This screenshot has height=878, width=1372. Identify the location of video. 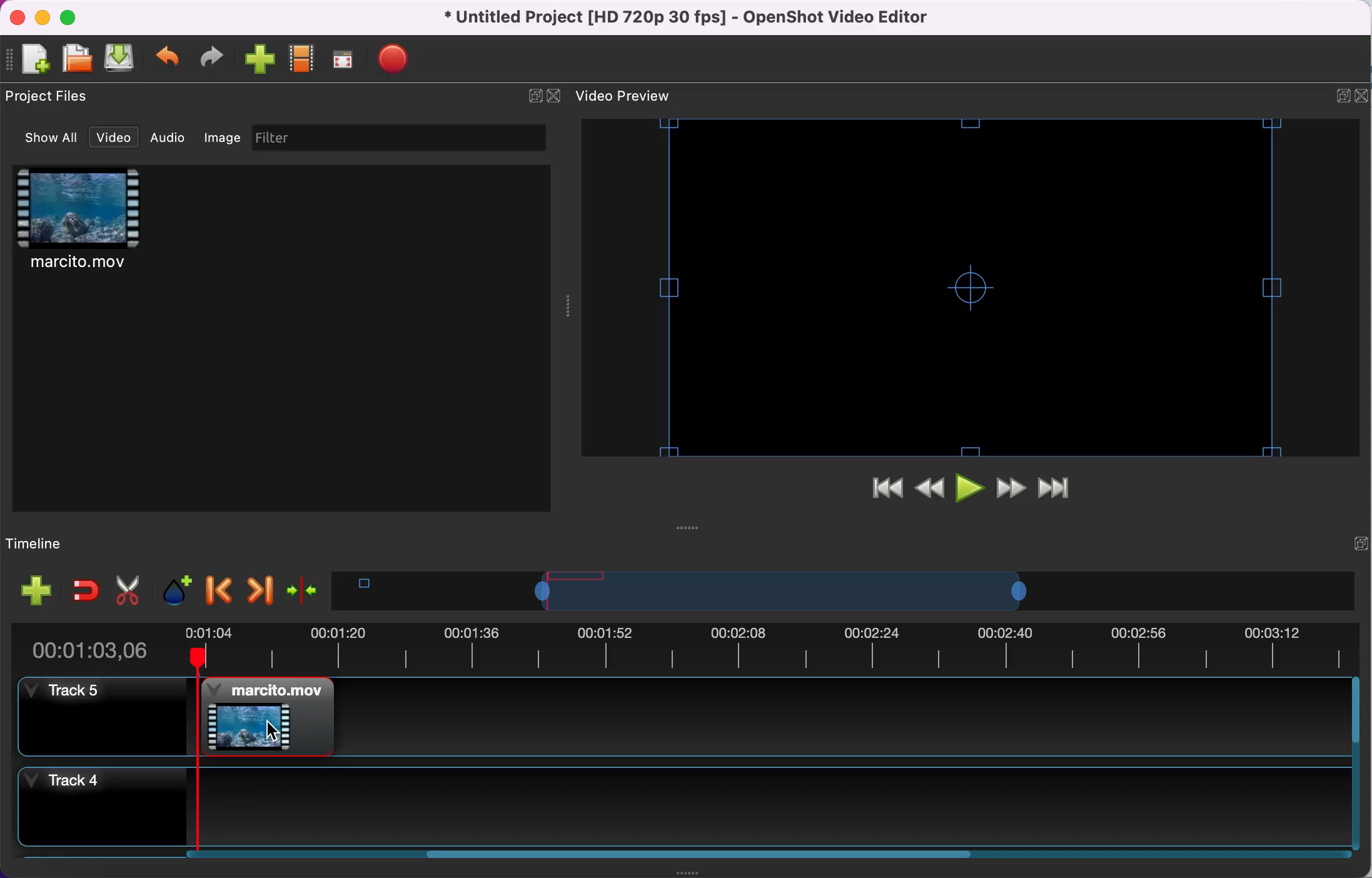
(92, 225).